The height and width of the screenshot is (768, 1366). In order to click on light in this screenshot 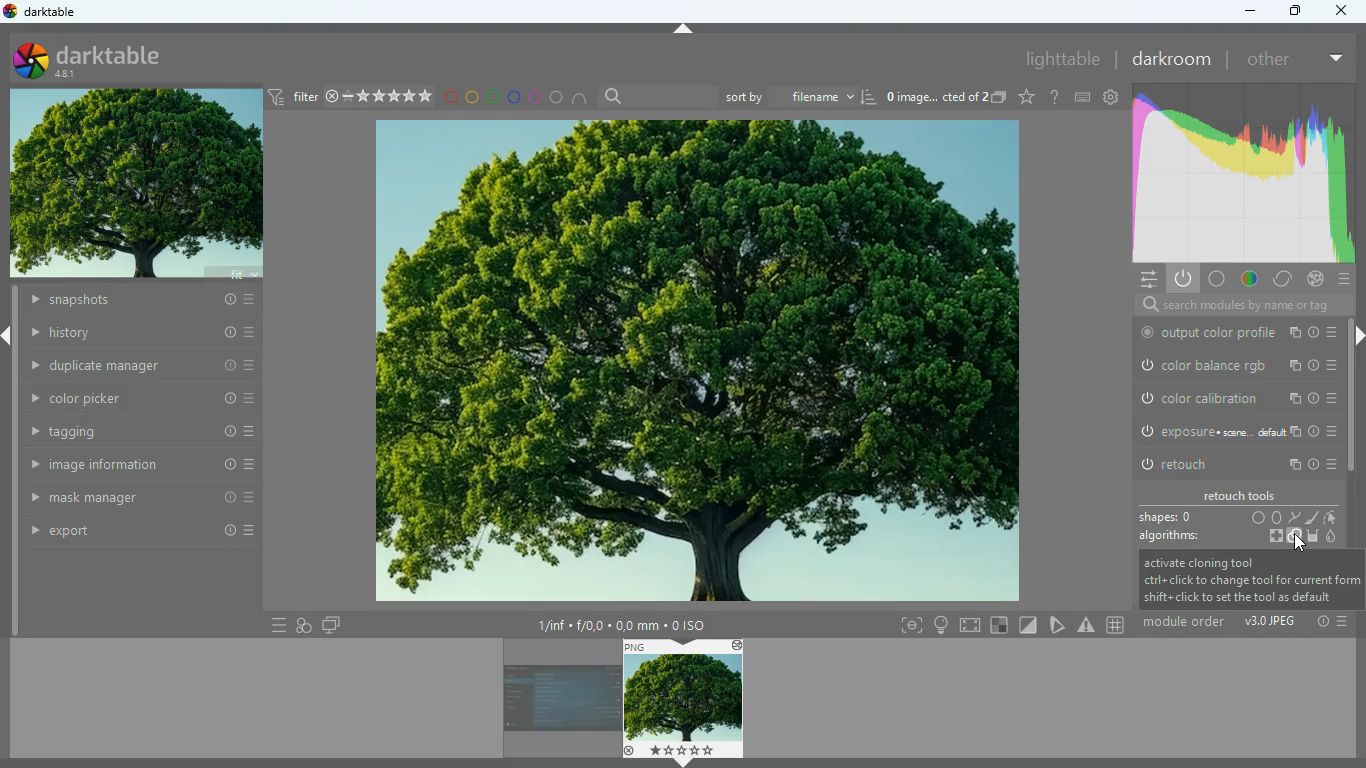, I will do `click(940, 624)`.